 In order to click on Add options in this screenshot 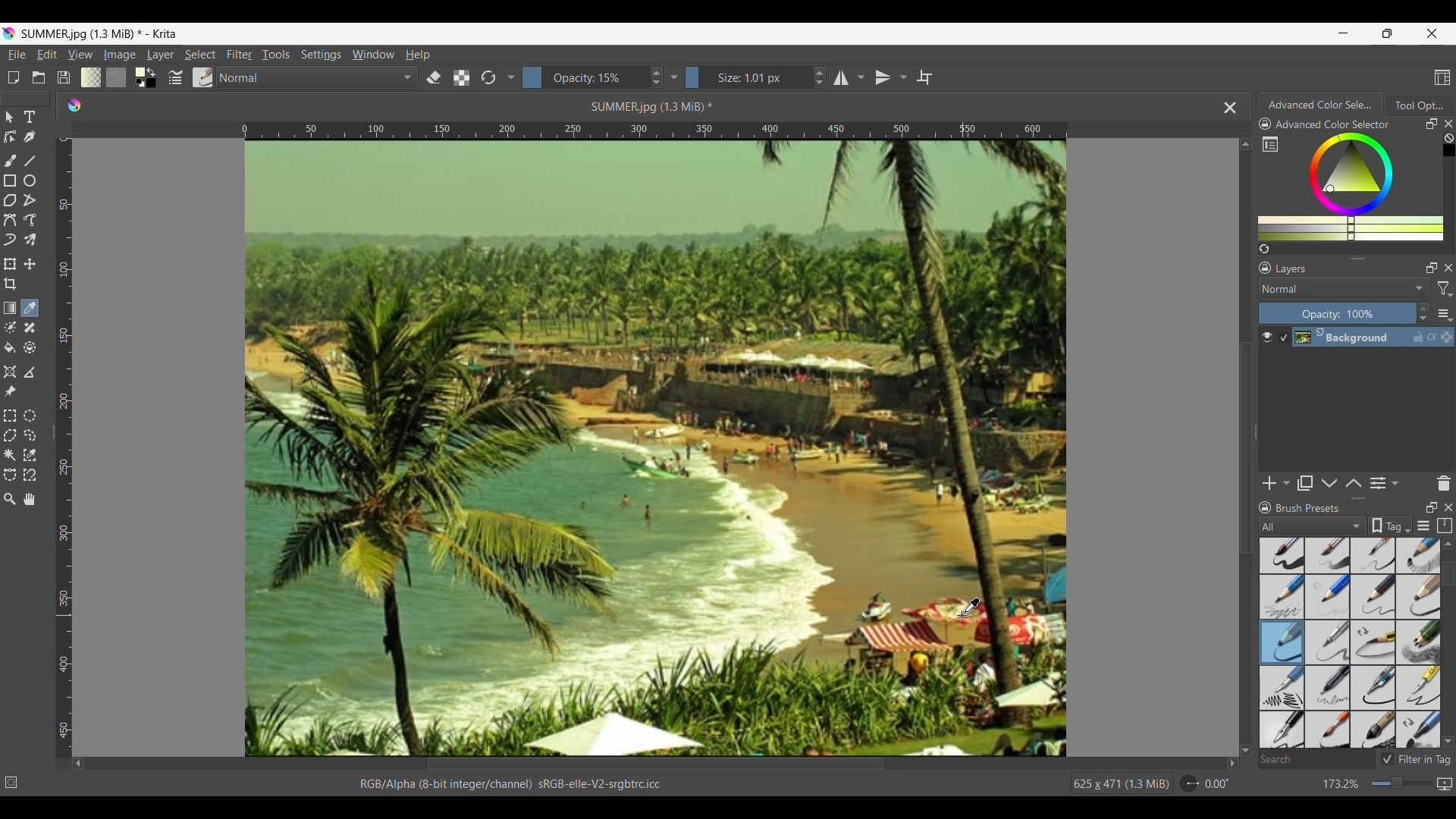, I will do `click(1286, 484)`.